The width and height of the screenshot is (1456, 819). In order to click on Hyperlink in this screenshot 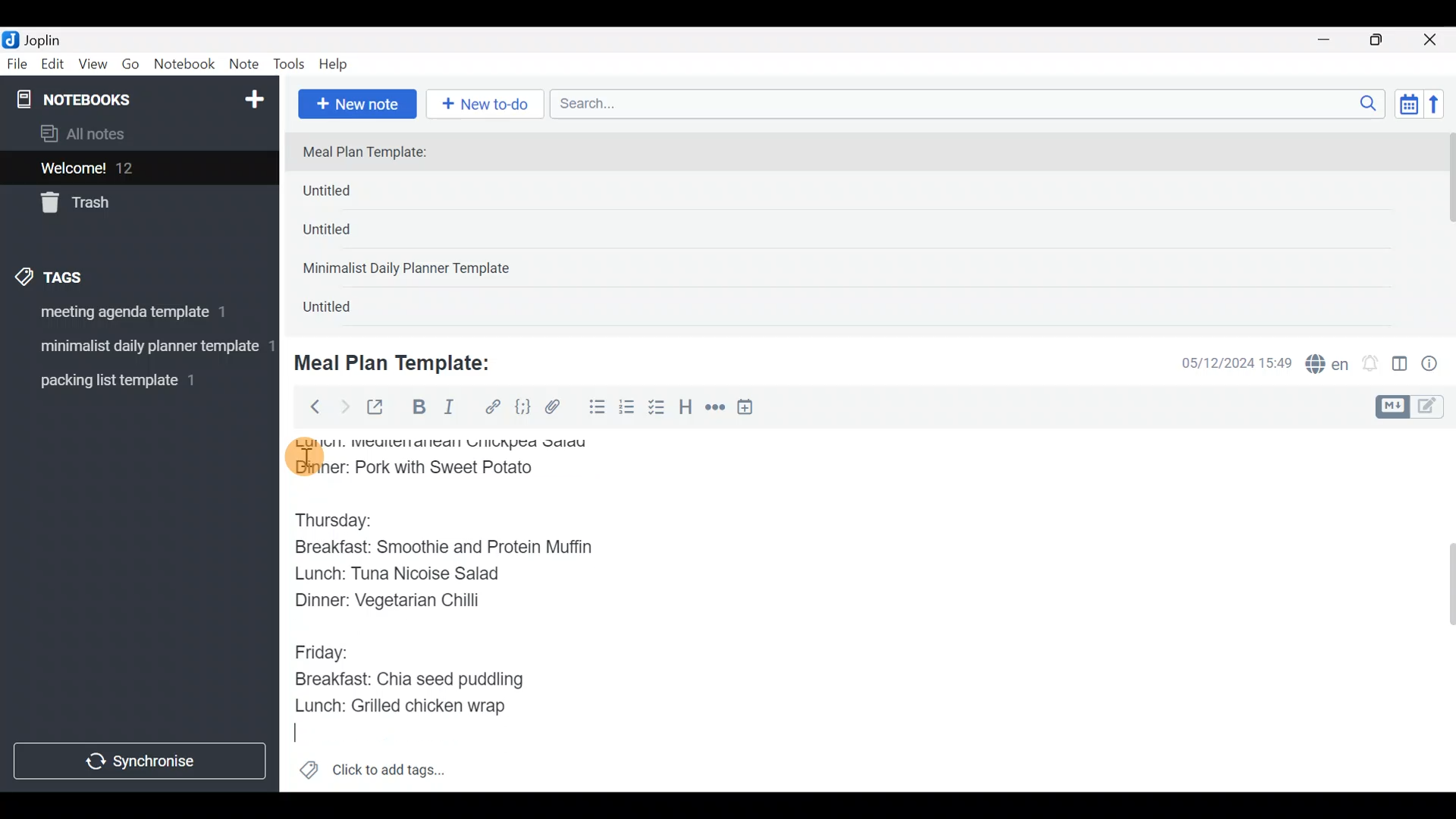, I will do `click(493, 407)`.